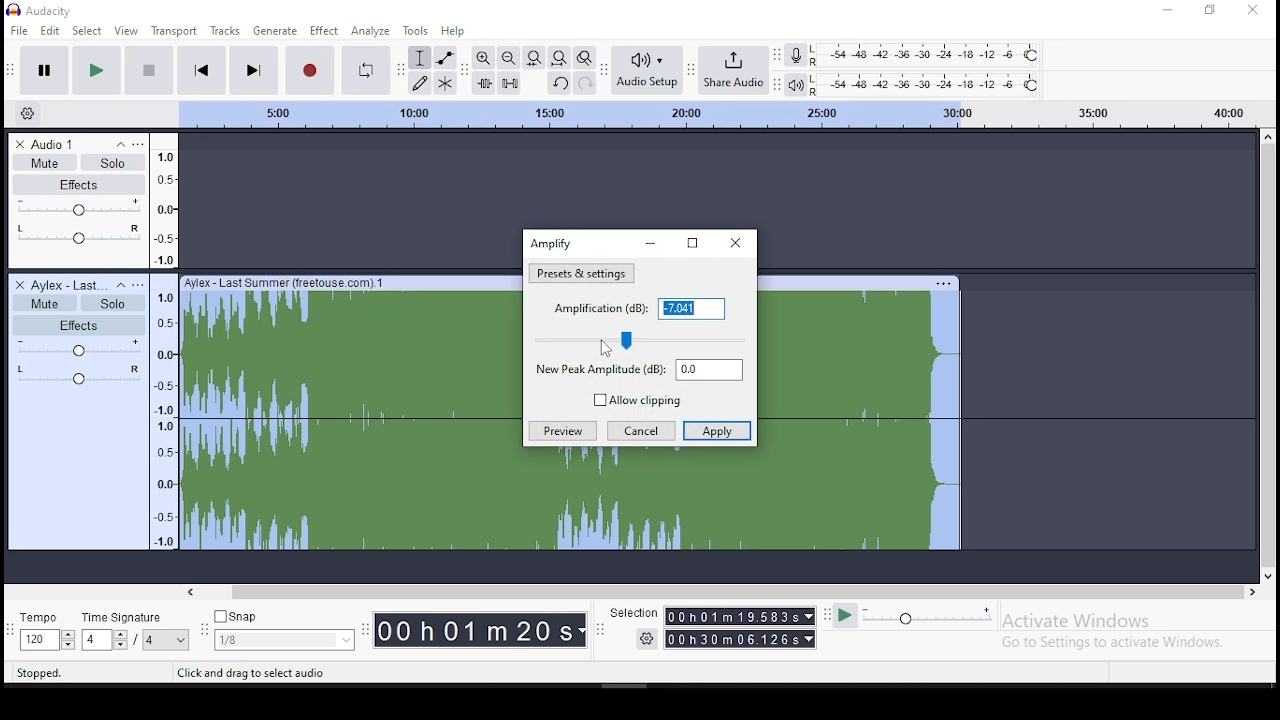  Describe the element at coordinates (483, 57) in the screenshot. I see `zoom in` at that location.